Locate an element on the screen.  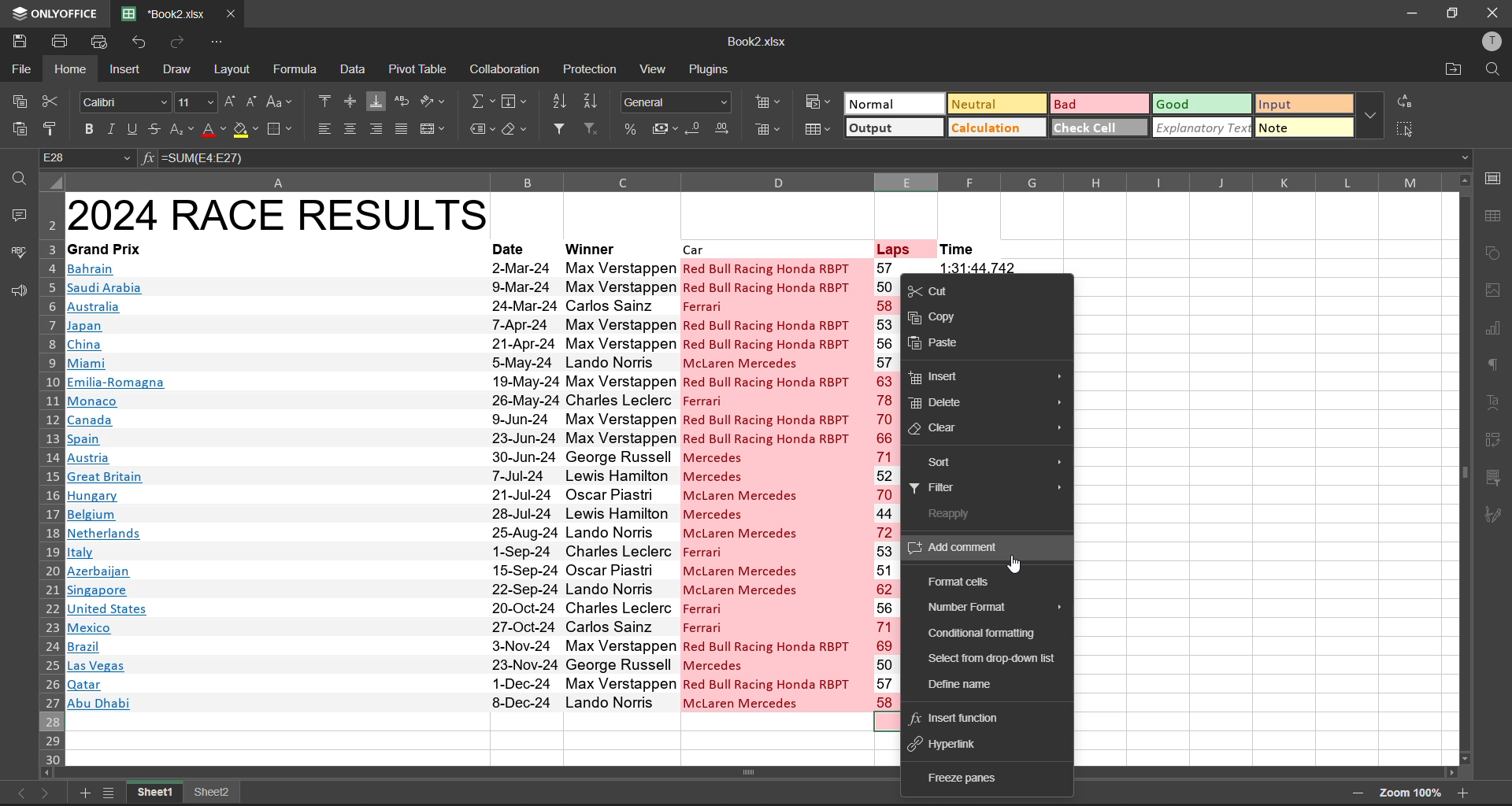
font color is located at coordinates (213, 130).